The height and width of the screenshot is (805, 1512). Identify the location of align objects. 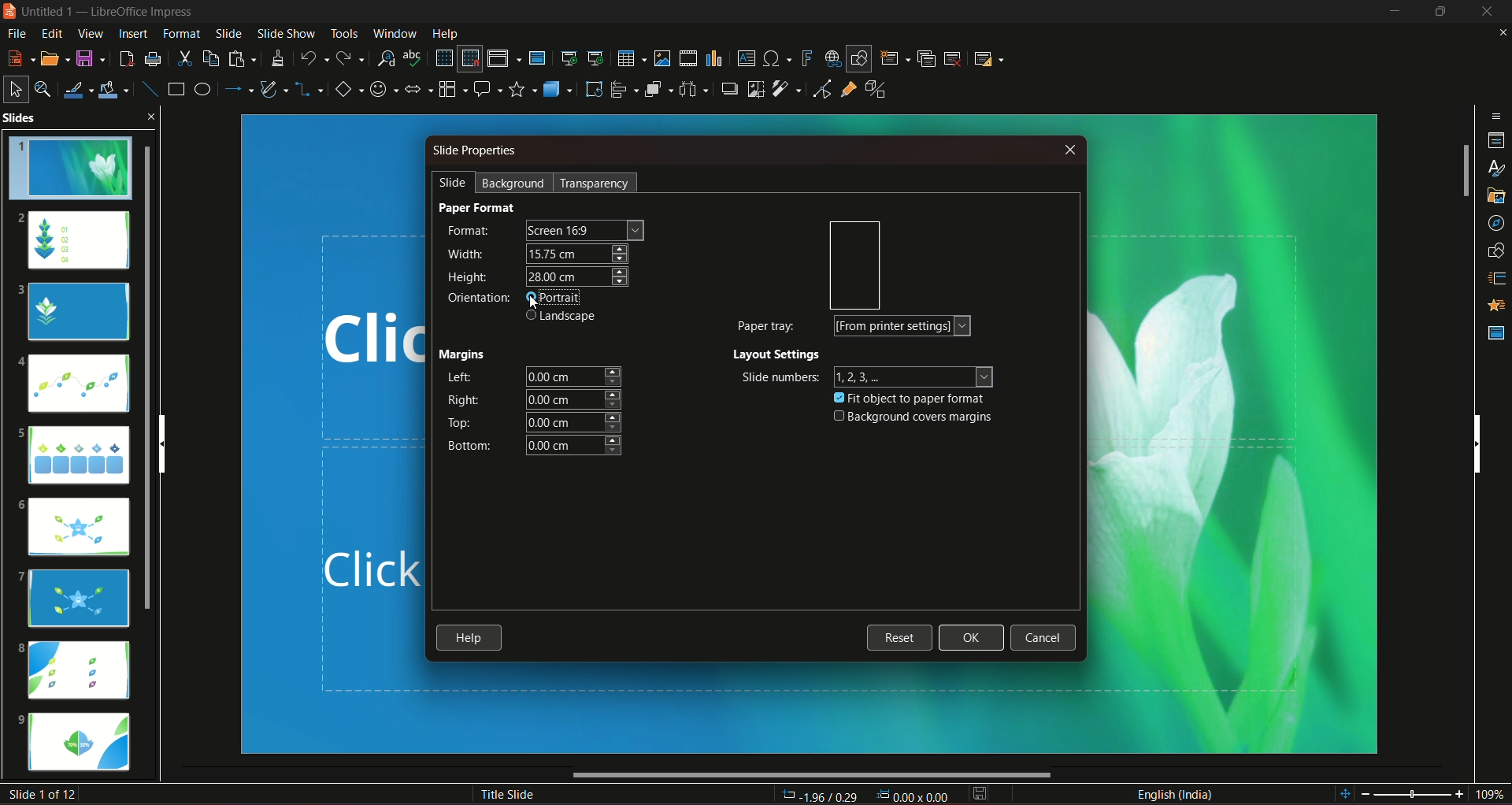
(623, 90).